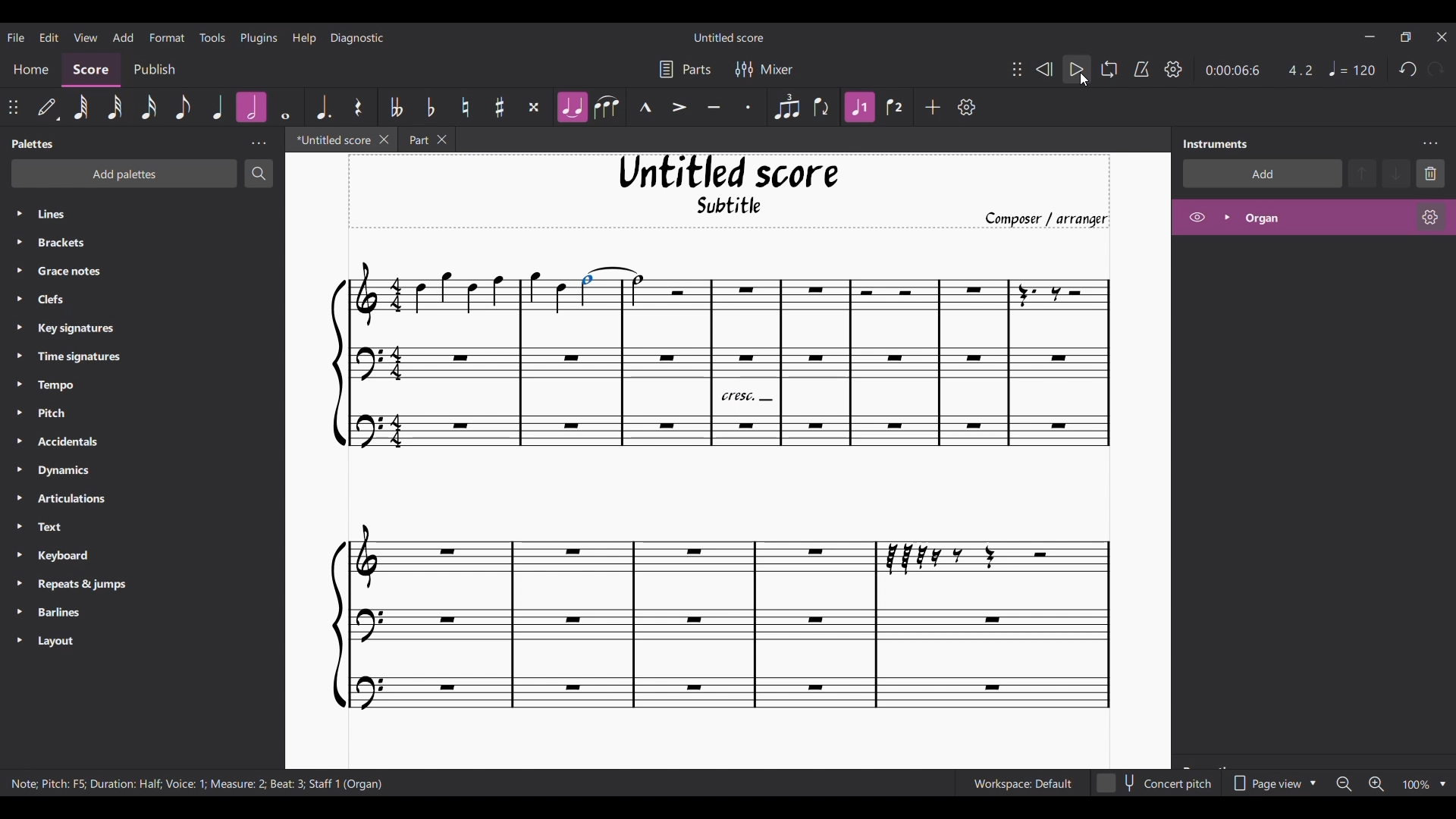  I want to click on Customize toolbar, so click(967, 107).